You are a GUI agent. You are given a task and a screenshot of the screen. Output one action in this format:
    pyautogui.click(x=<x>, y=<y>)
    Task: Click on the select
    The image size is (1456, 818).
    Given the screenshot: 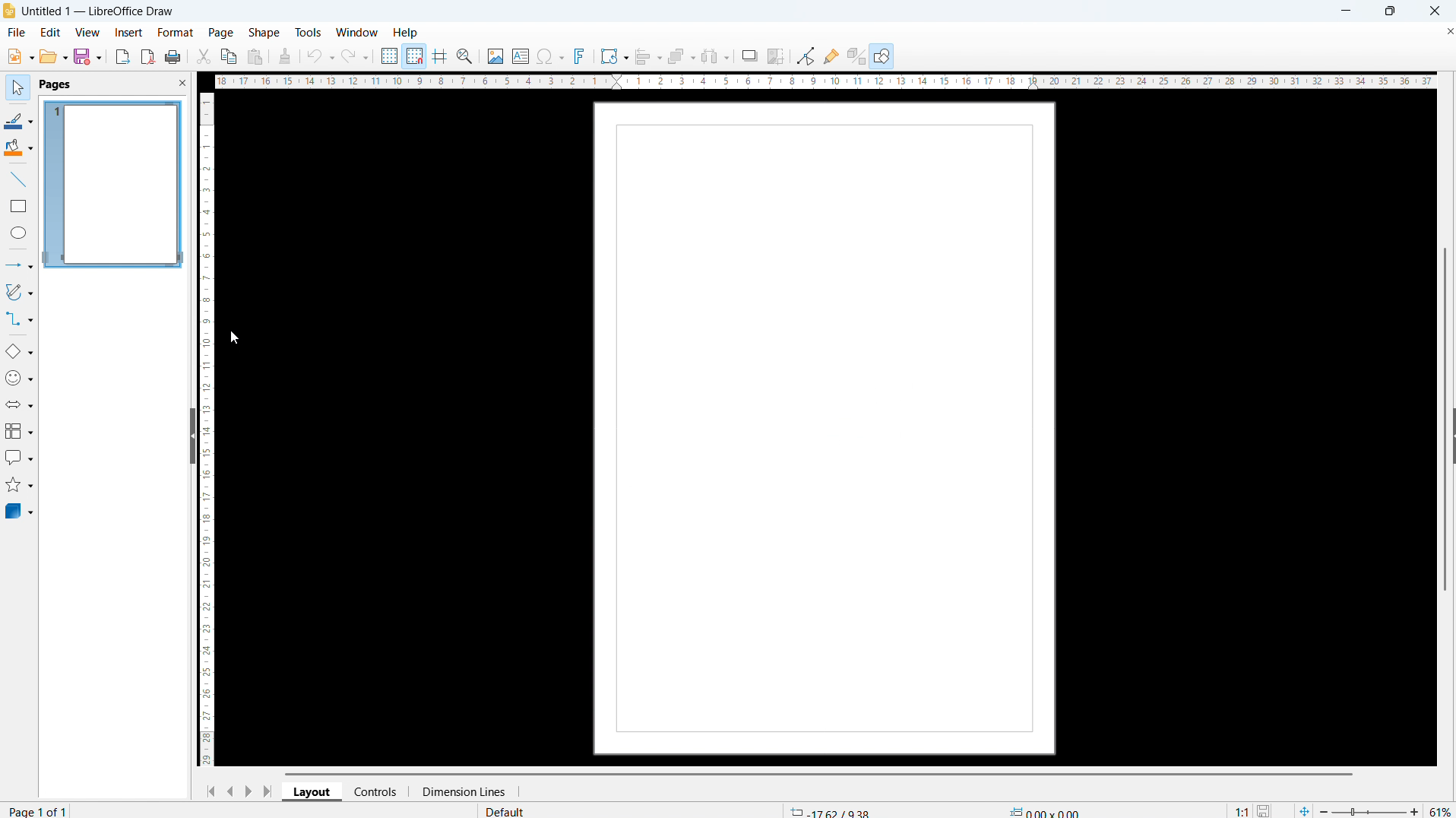 What is the action you would take?
    pyautogui.click(x=17, y=88)
    